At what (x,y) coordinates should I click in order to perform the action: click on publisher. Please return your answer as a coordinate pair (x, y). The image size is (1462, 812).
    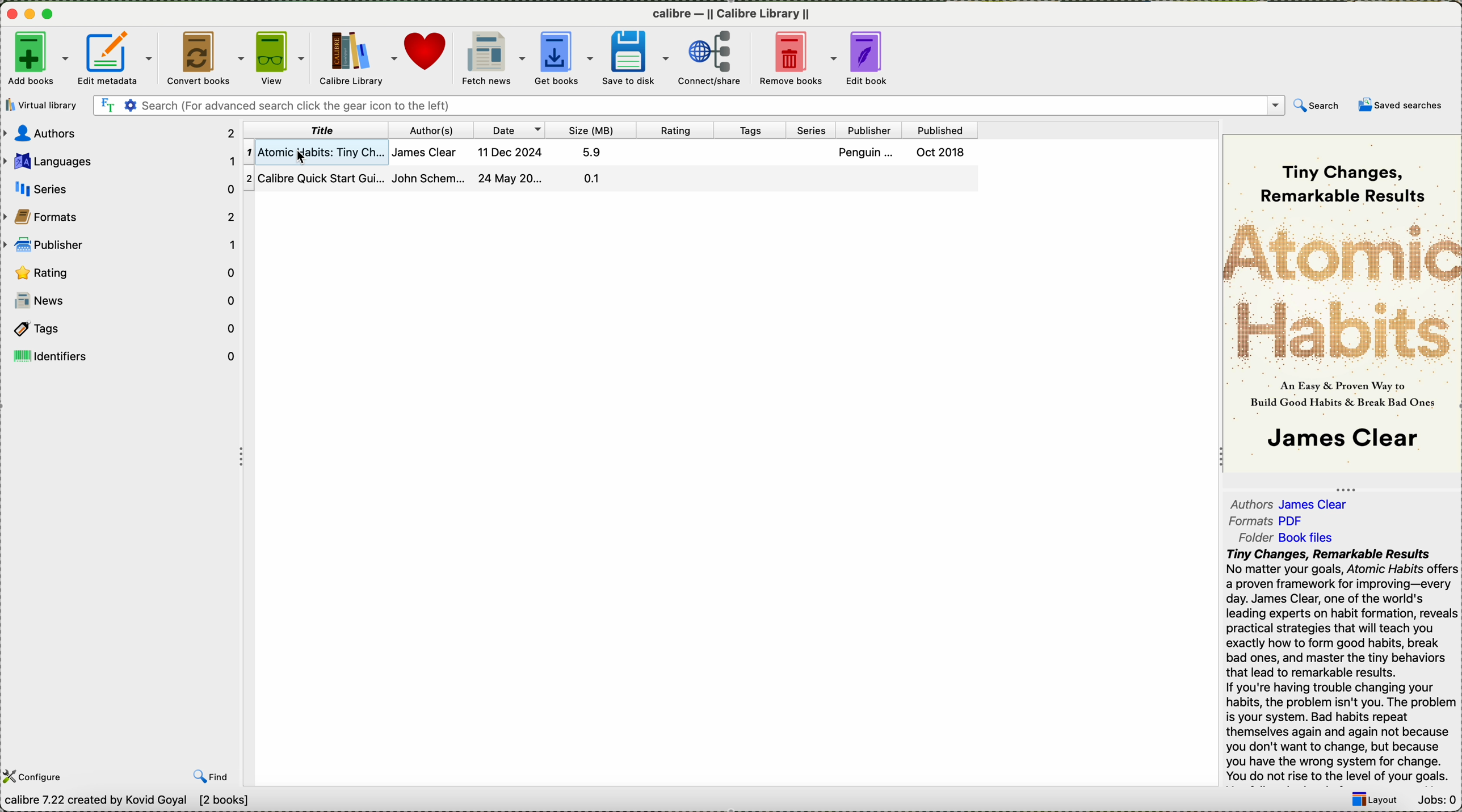
    Looking at the image, I should click on (121, 242).